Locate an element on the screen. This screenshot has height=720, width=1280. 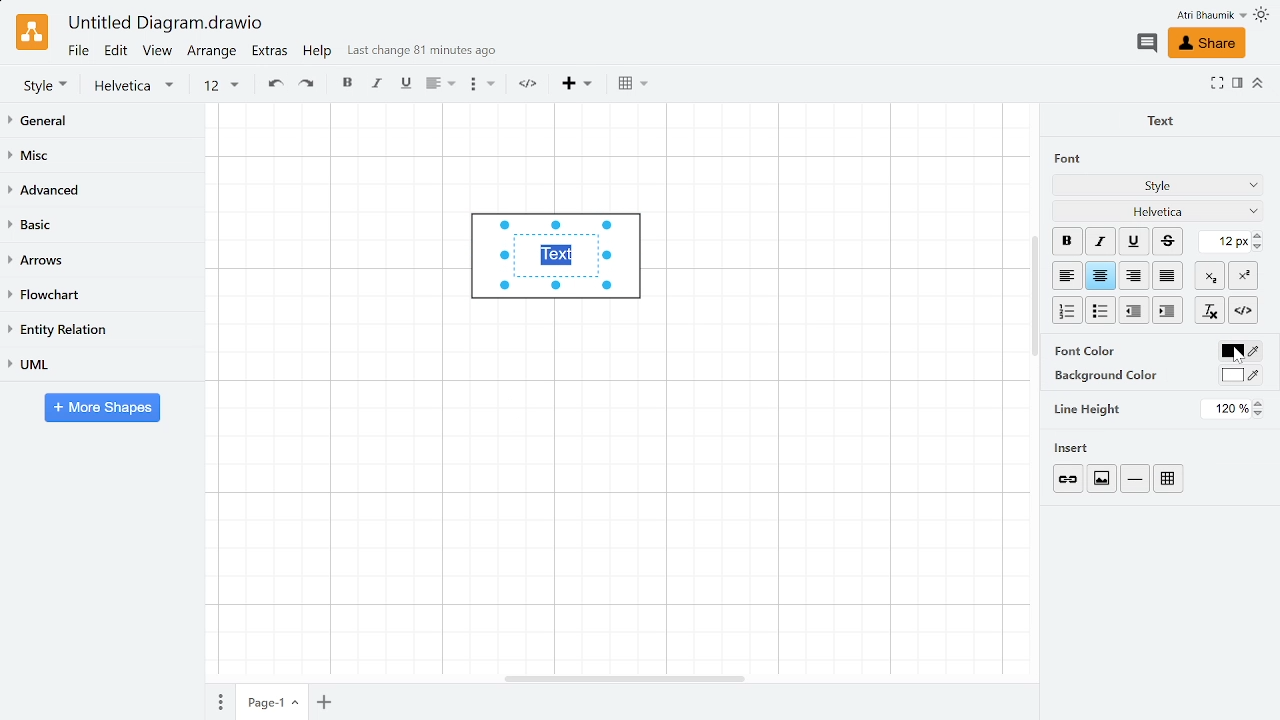
Arrows is located at coordinates (103, 261).